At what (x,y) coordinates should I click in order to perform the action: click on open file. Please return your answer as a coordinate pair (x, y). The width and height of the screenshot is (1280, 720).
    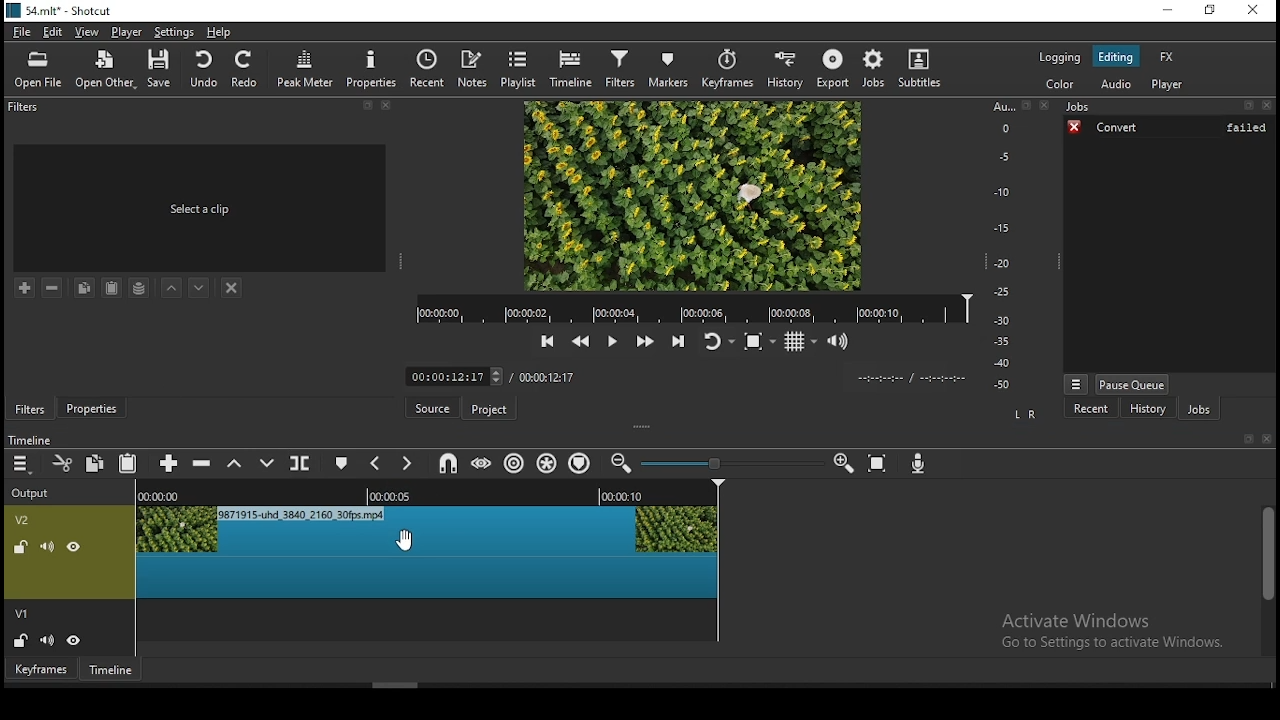
    Looking at the image, I should click on (41, 69).